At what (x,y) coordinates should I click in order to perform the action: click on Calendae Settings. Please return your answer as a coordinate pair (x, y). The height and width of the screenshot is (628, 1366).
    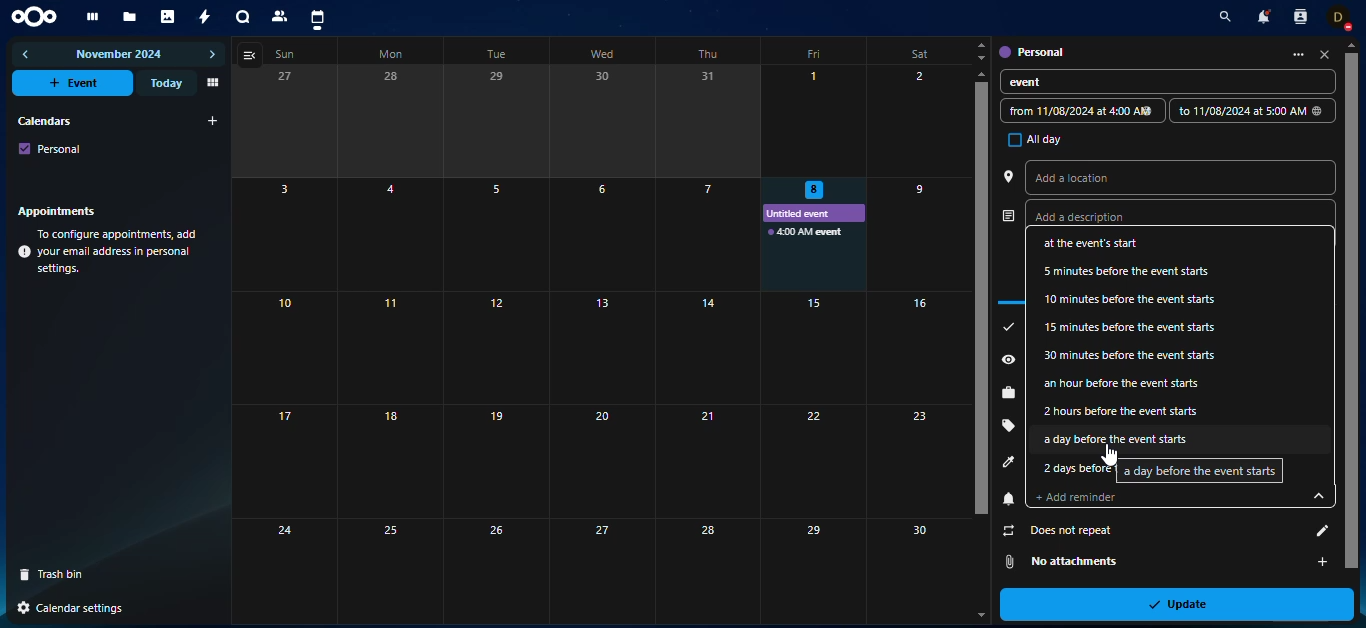
    Looking at the image, I should click on (72, 608).